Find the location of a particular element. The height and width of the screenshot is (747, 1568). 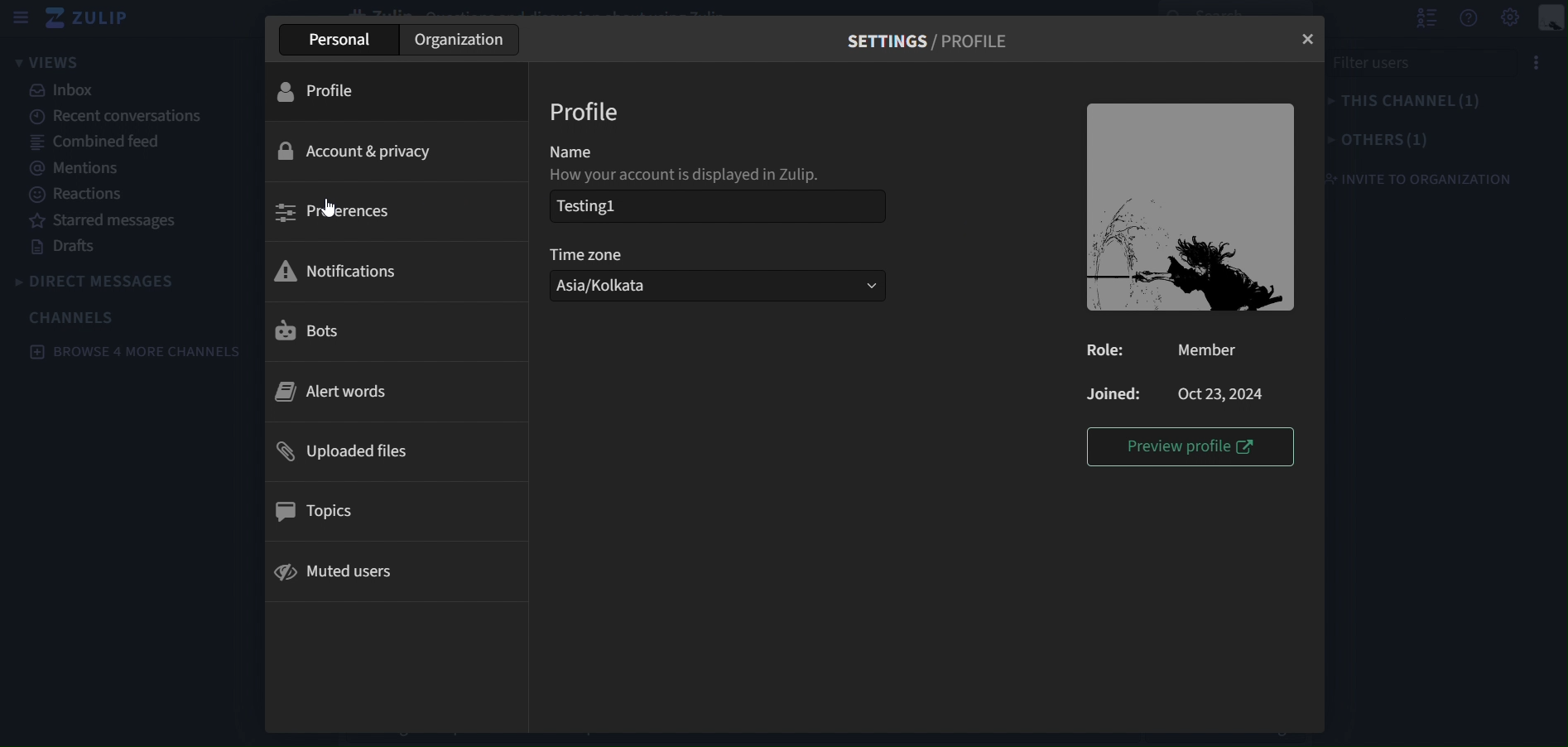

view is located at coordinates (50, 62).